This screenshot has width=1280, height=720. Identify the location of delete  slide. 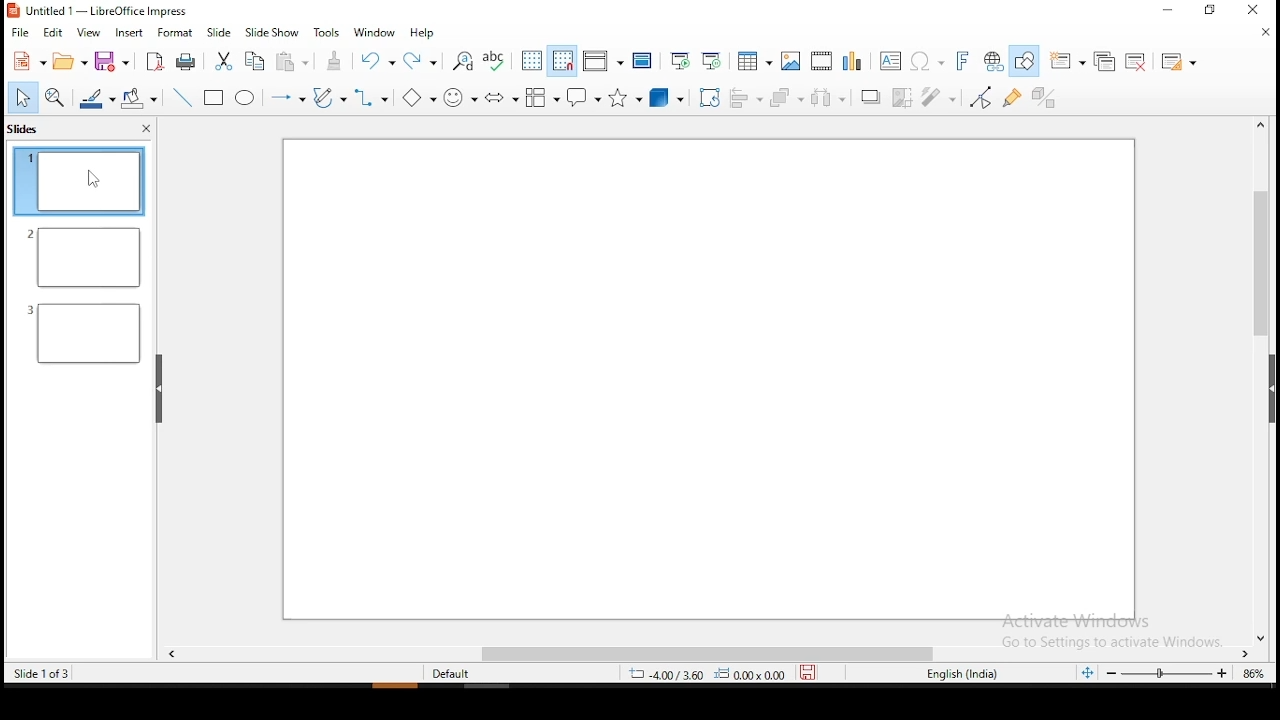
(1140, 62).